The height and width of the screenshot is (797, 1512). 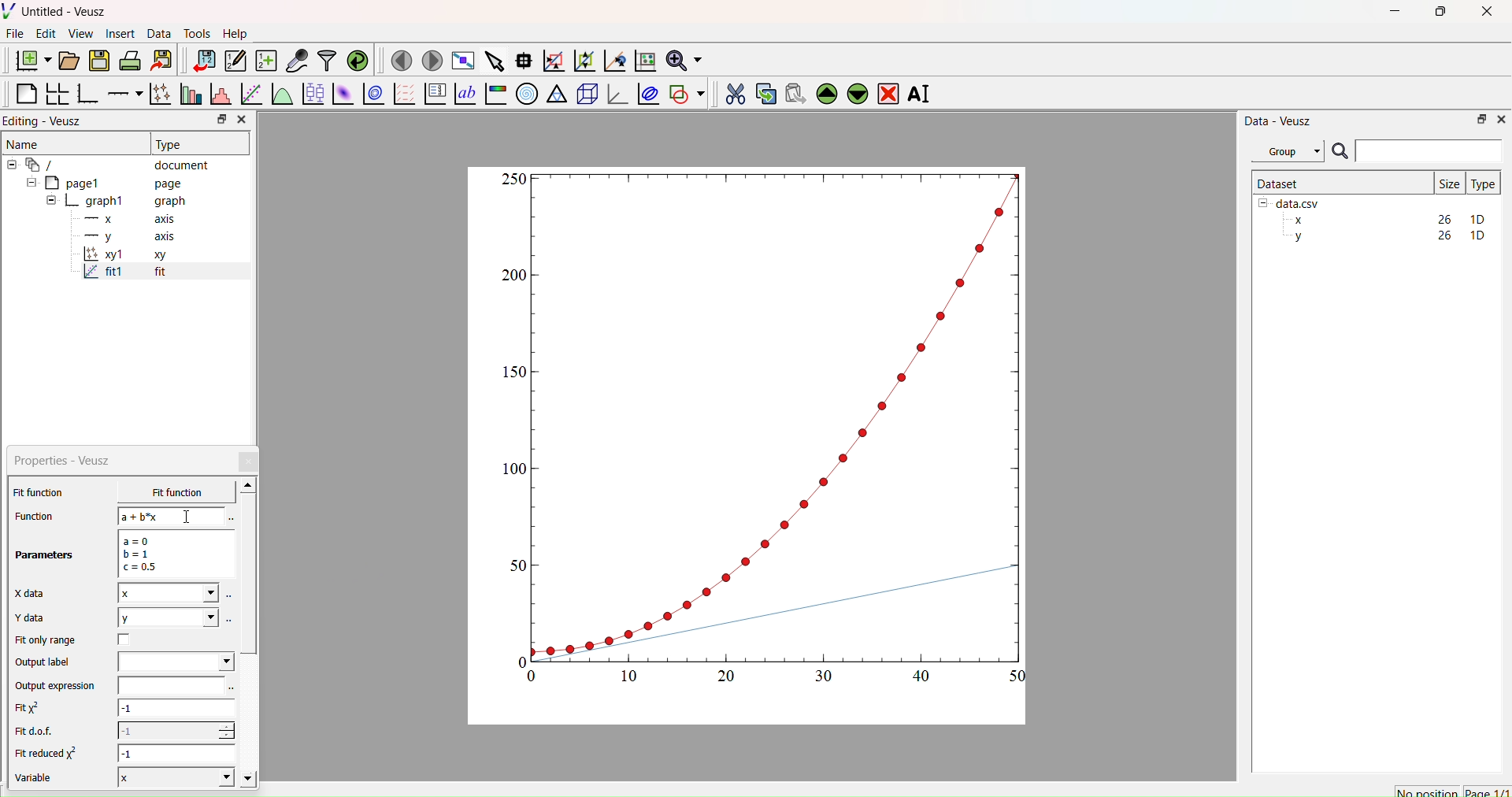 I want to click on Rename, so click(x=922, y=94).